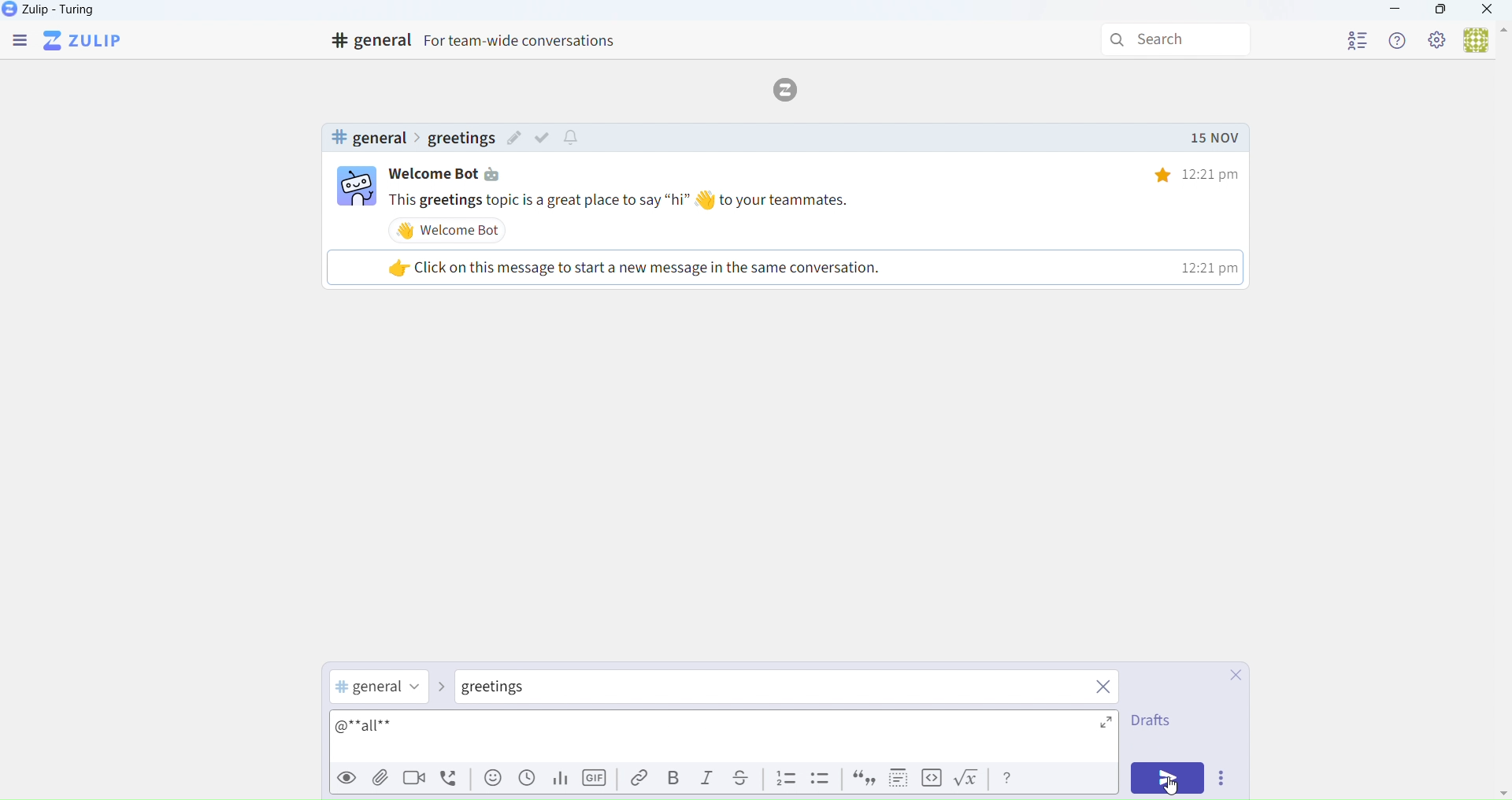 The width and height of the screenshot is (1512, 800). I want to click on Italic, so click(708, 781).